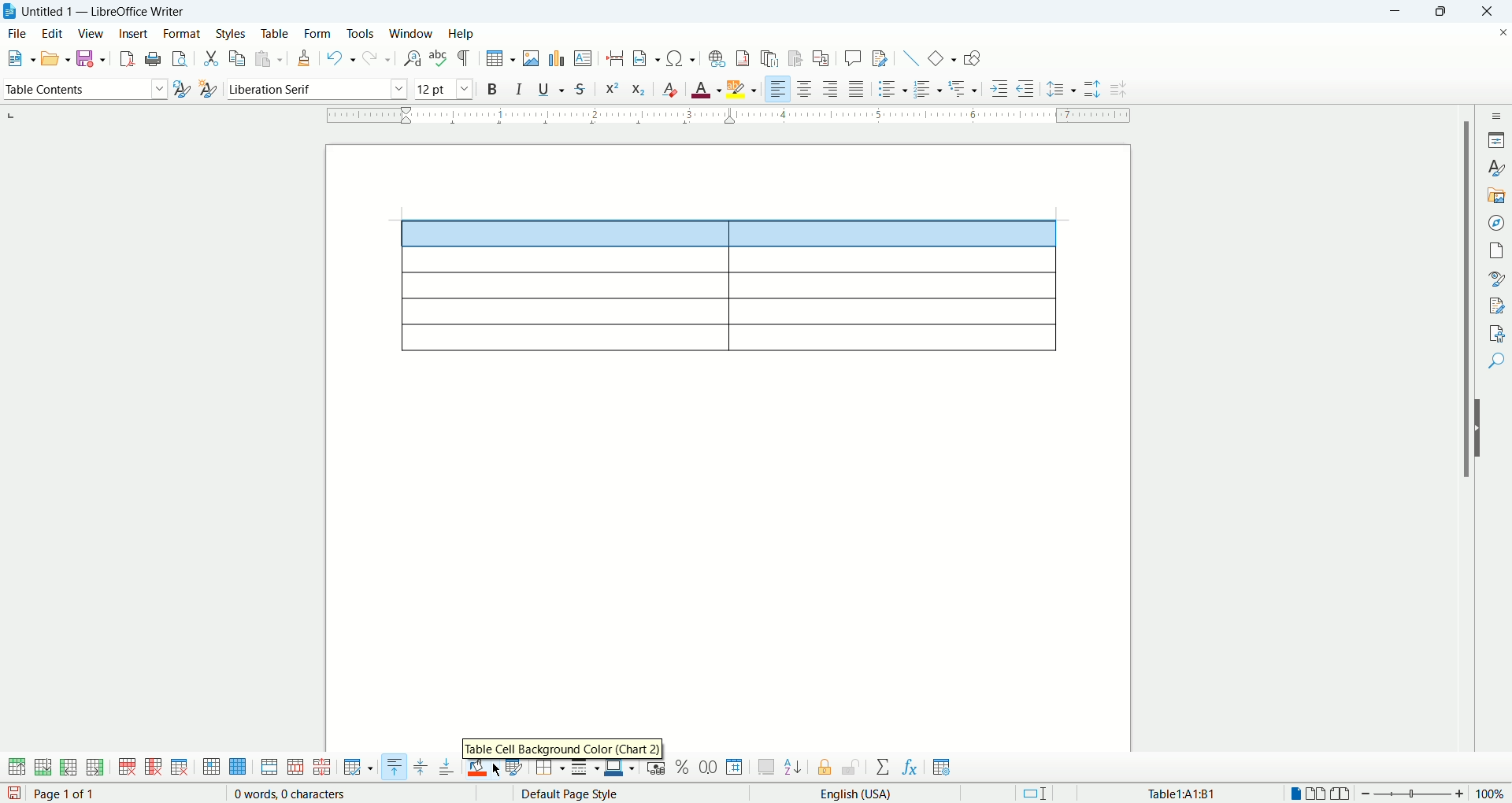 This screenshot has width=1512, height=803. What do you see at coordinates (414, 59) in the screenshot?
I see `find and replace` at bounding box center [414, 59].